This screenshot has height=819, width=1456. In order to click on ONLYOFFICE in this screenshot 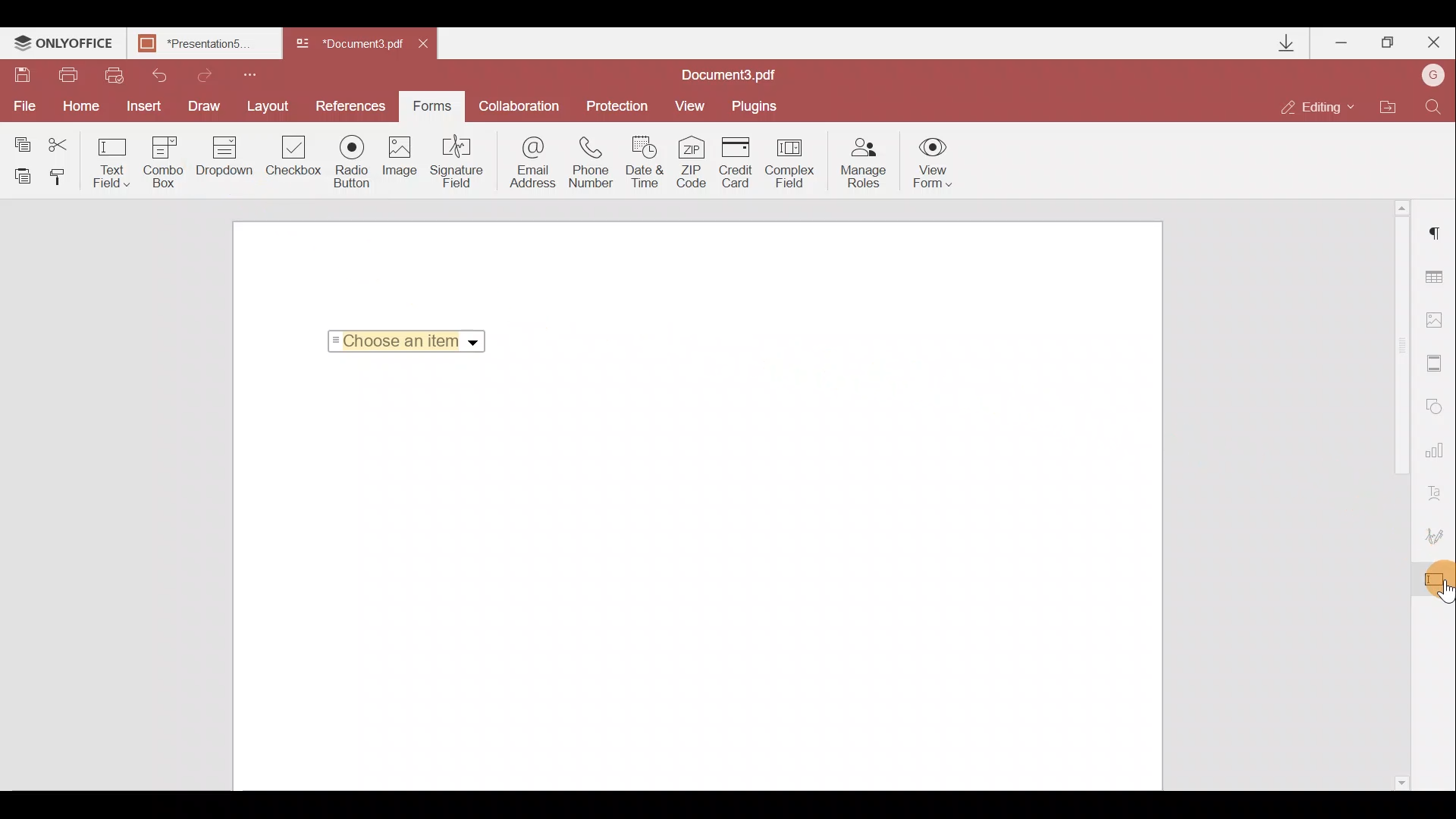, I will do `click(64, 45)`.